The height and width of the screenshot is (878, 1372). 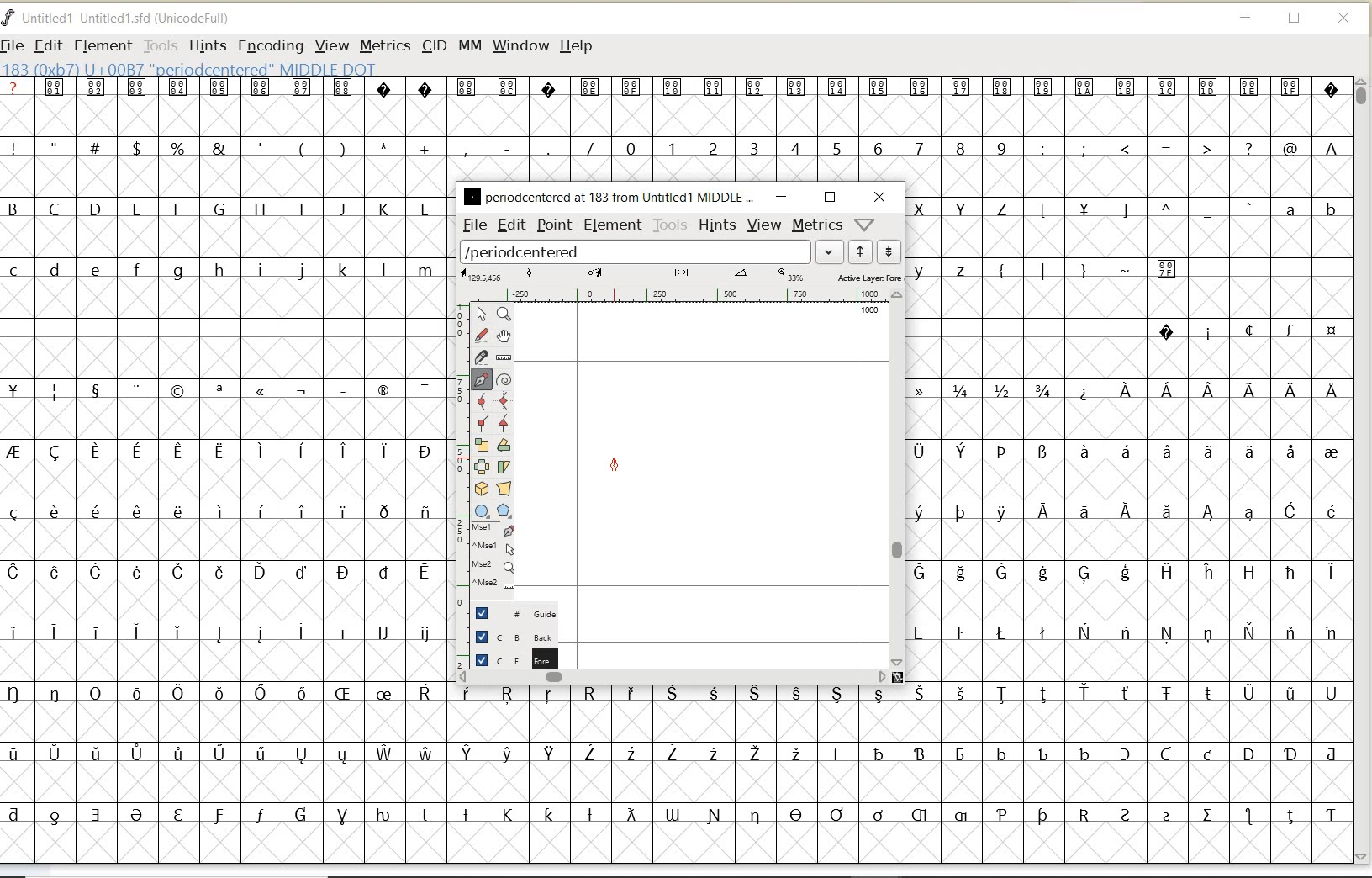 What do you see at coordinates (504, 357) in the screenshot?
I see `measure a distance, angle between points` at bounding box center [504, 357].